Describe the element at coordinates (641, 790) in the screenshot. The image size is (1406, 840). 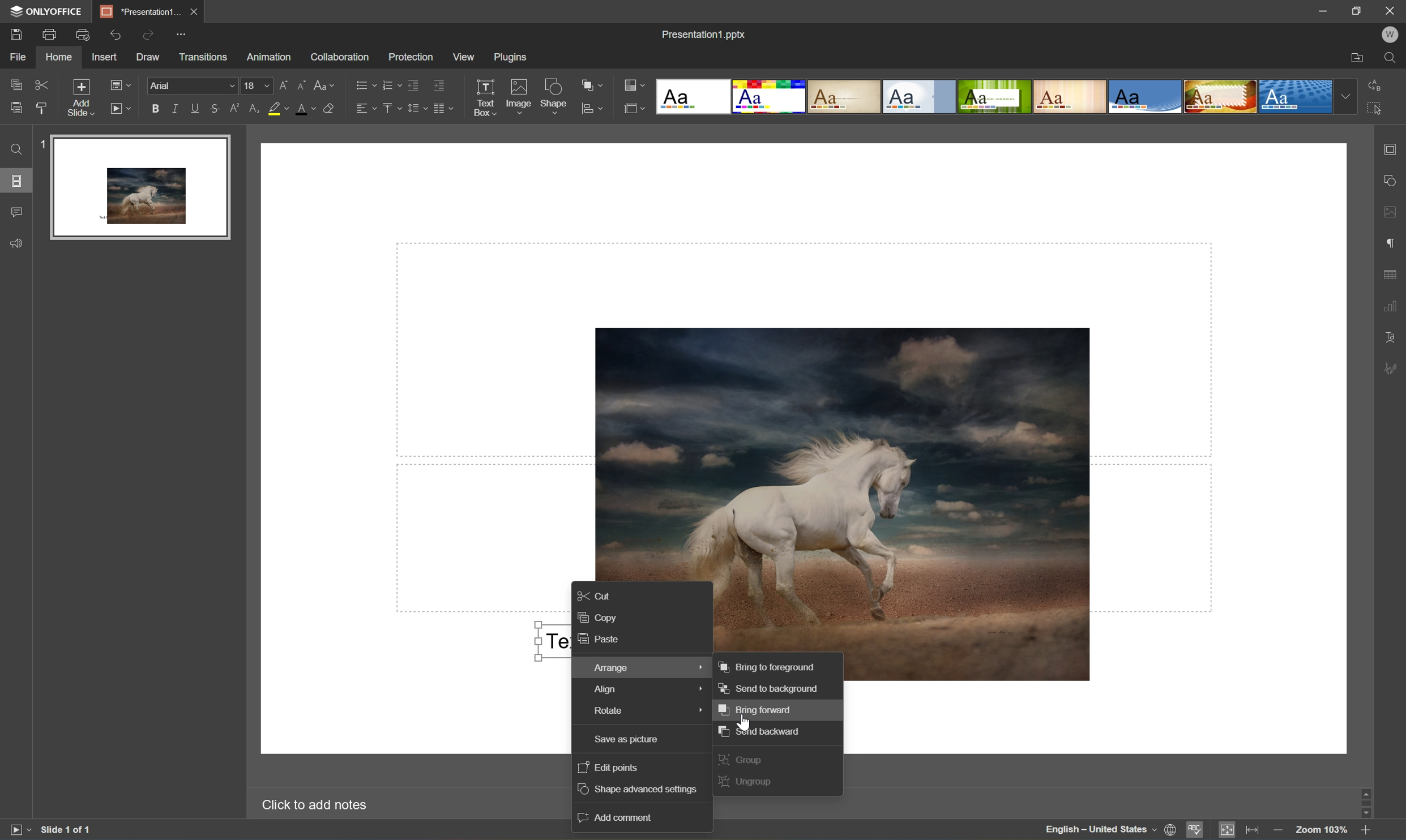
I see `Shape advanced settings` at that location.